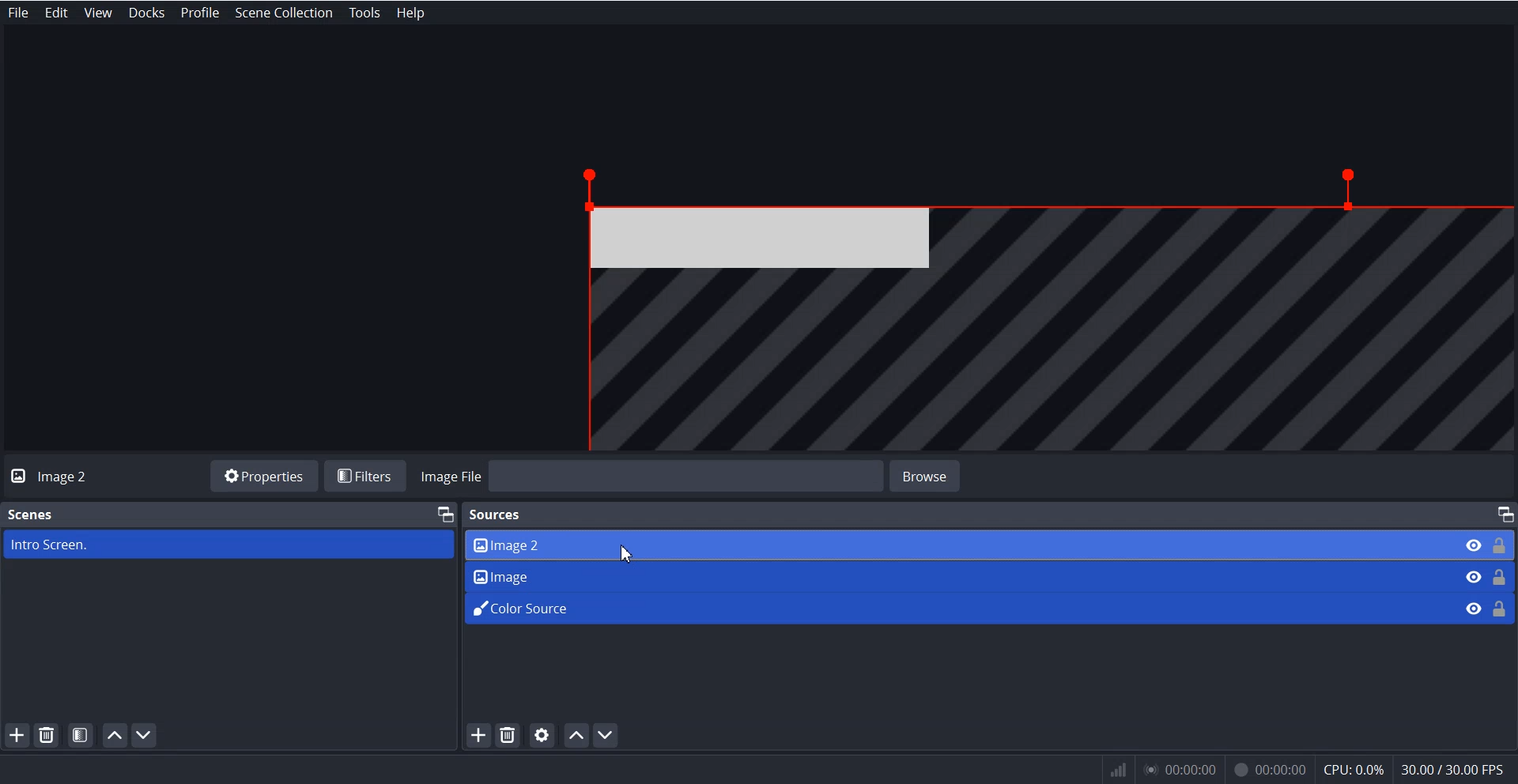 This screenshot has width=1518, height=784. Describe the element at coordinates (477, 736) in the screenshot. I see `Add Source` at that location.